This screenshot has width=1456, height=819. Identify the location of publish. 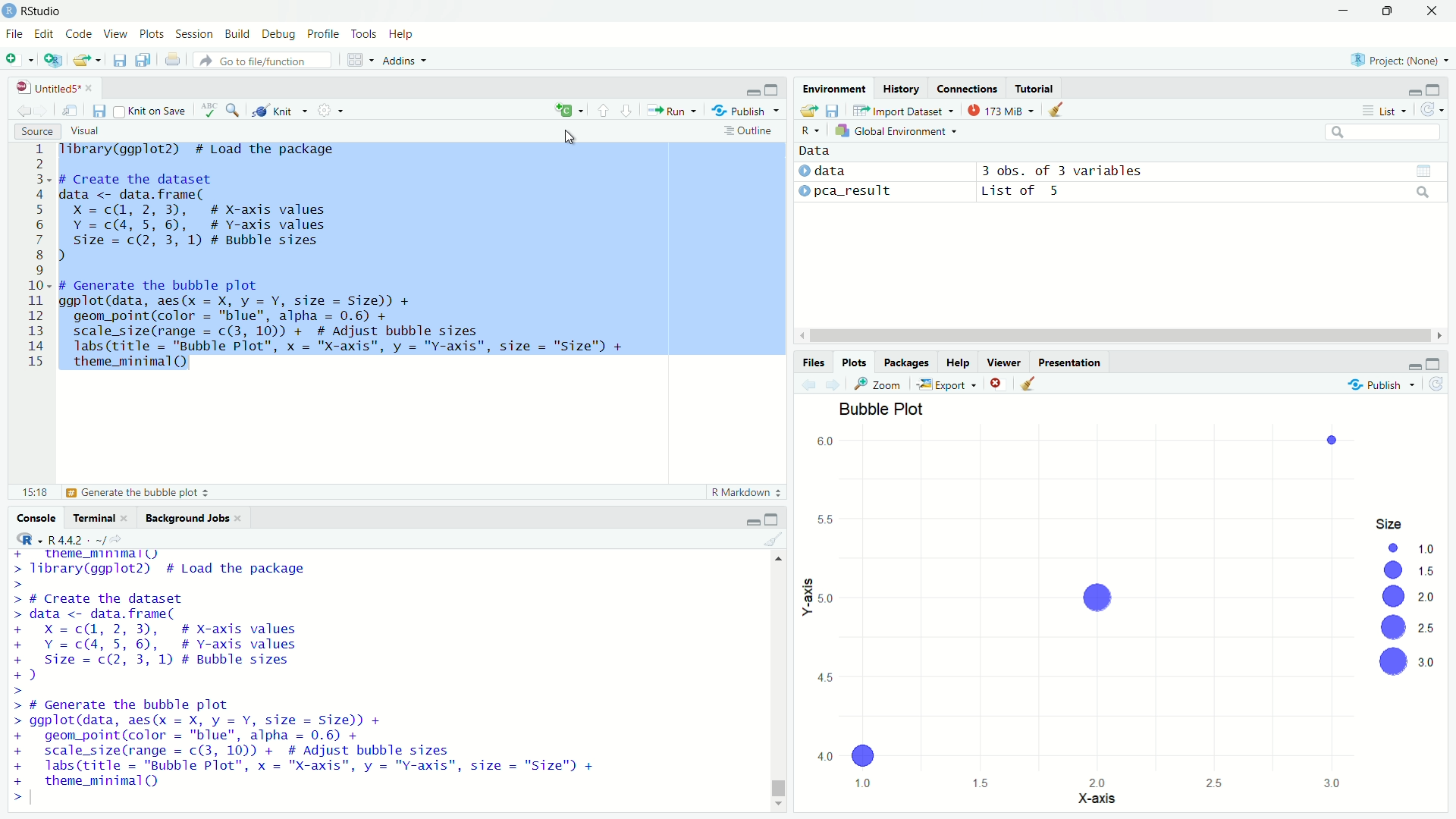
(745, 109).